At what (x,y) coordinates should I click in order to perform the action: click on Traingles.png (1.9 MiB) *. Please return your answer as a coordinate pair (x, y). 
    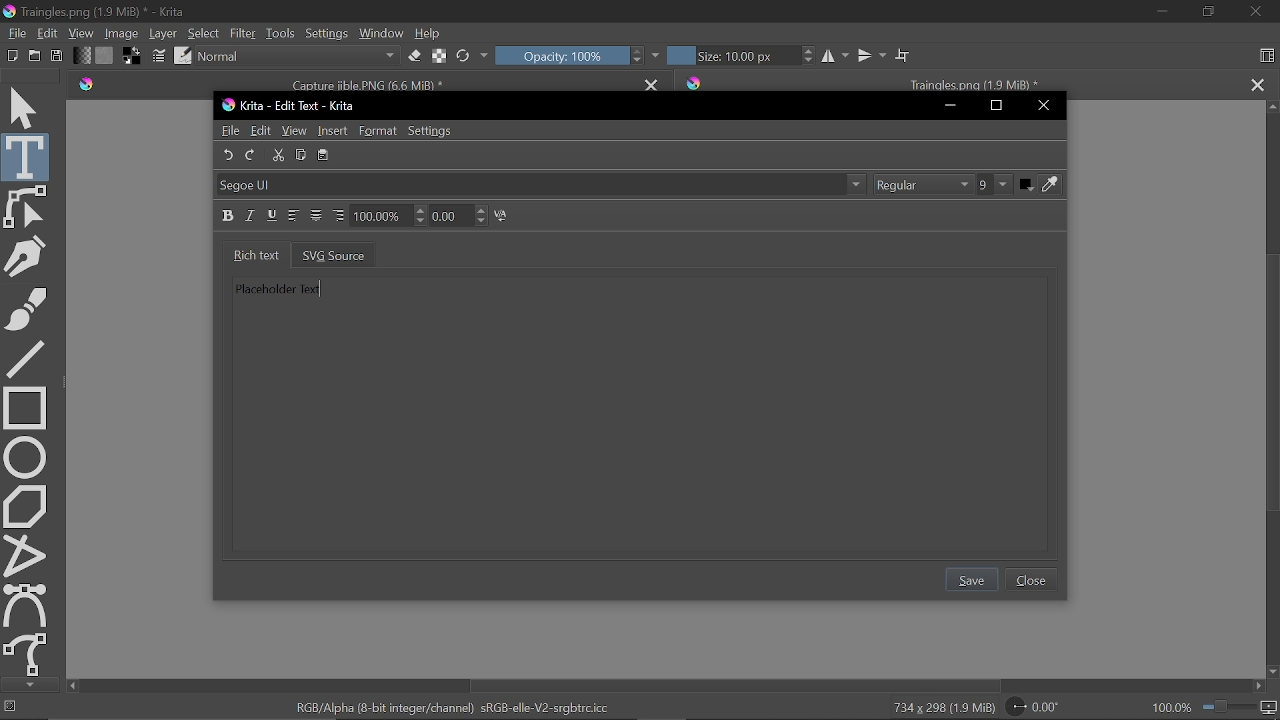
    Looking at the image, I should click on (958, 81).